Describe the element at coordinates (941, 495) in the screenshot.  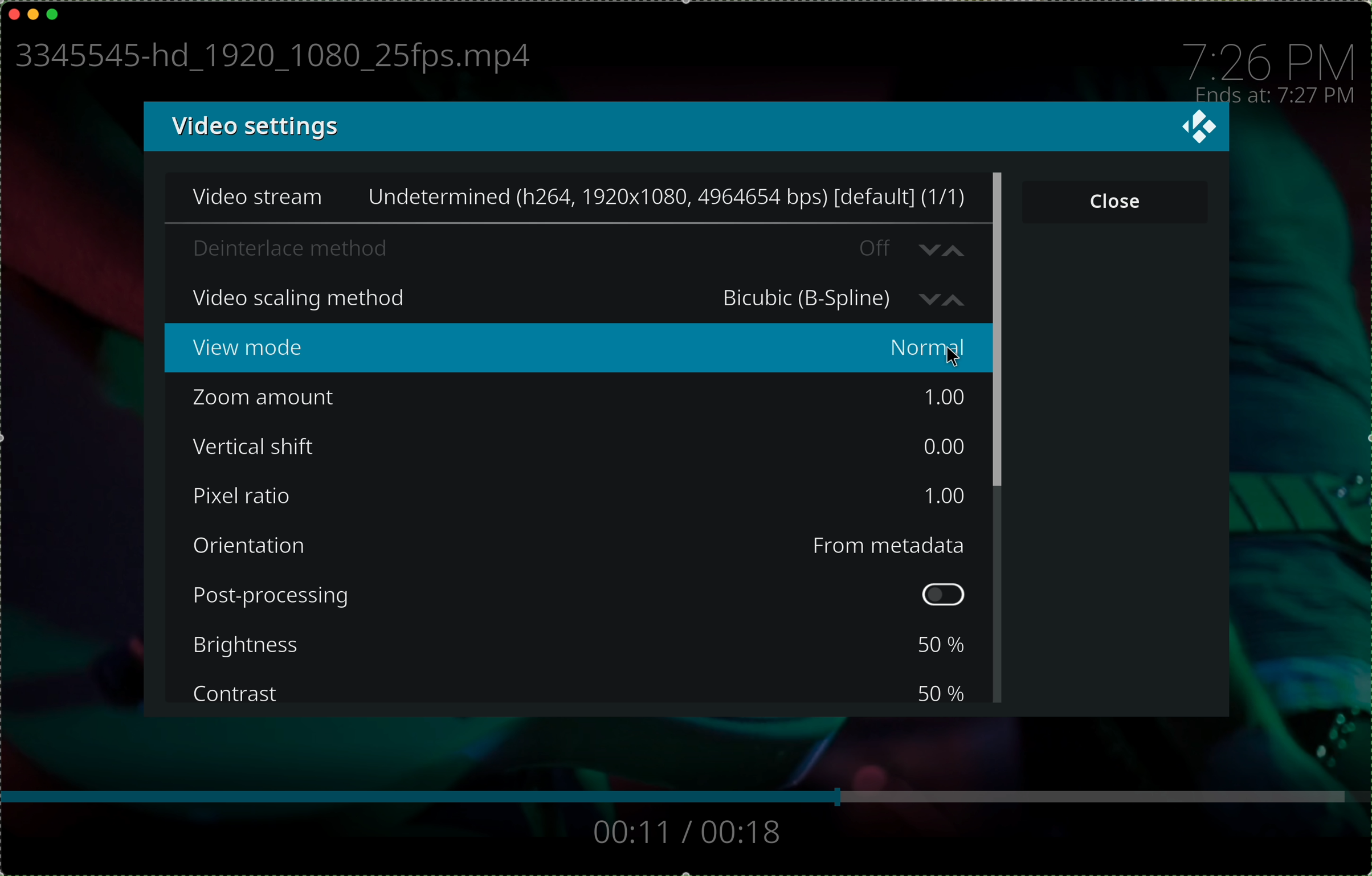
I see `1.00` at that location.